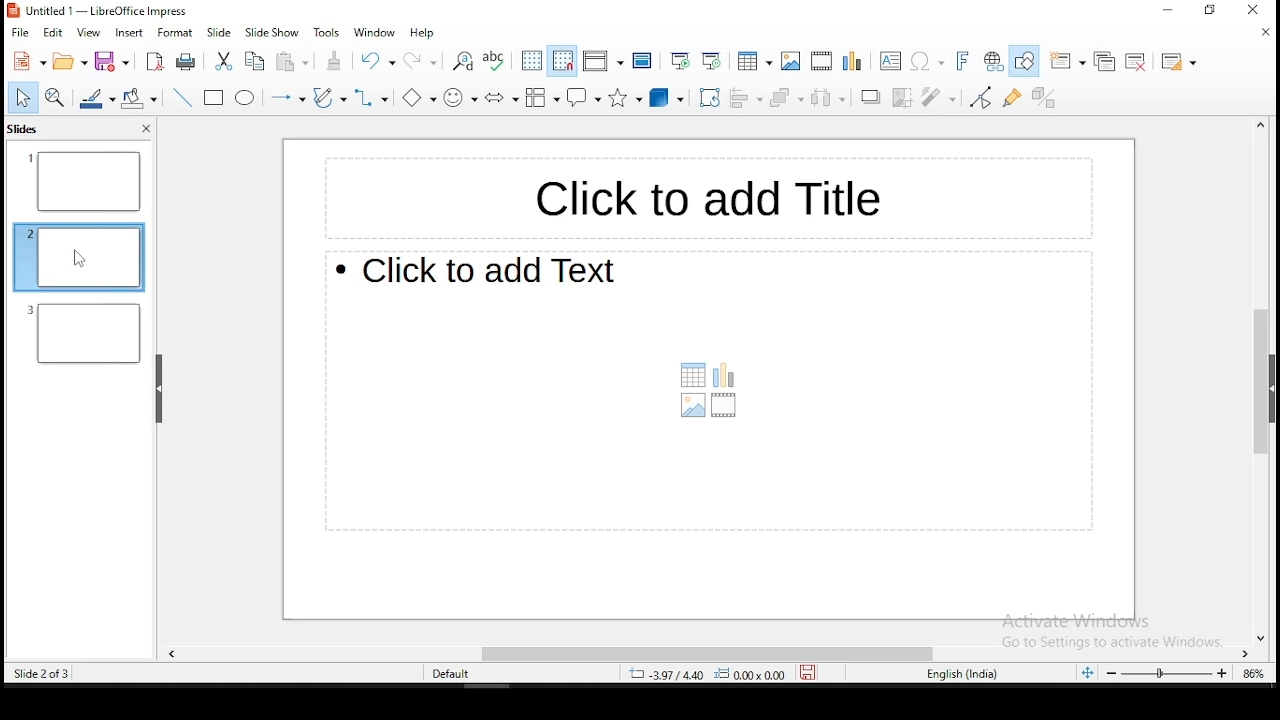 The height and width of the screenshot is (720, 1280). Describe the element at coordinates (97, 12) in the screenshot. I see `icon and file name` at that location.